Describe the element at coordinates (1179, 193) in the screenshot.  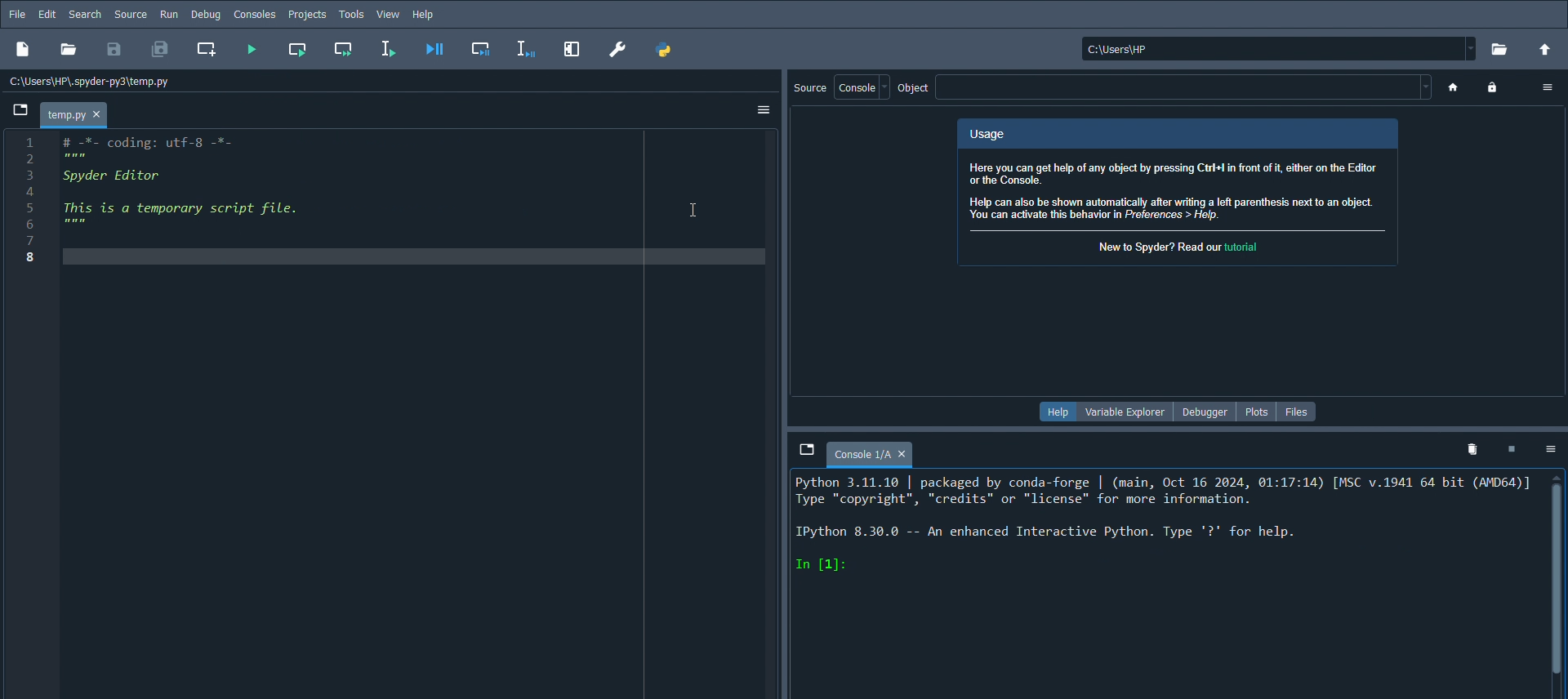
I see `usage info` at that location.